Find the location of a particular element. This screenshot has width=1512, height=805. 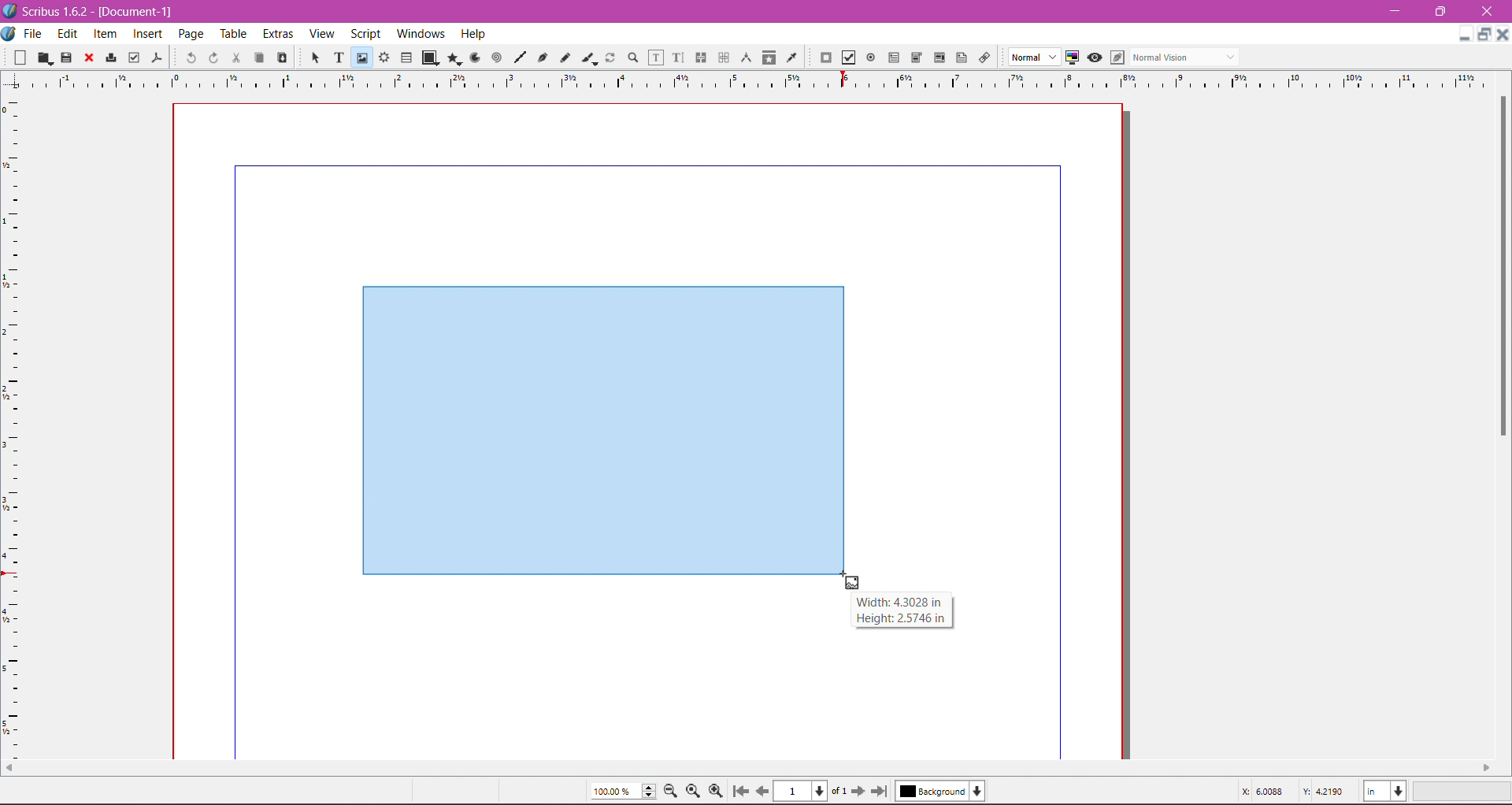

Rotate Item is located at coordinates (610, 57).